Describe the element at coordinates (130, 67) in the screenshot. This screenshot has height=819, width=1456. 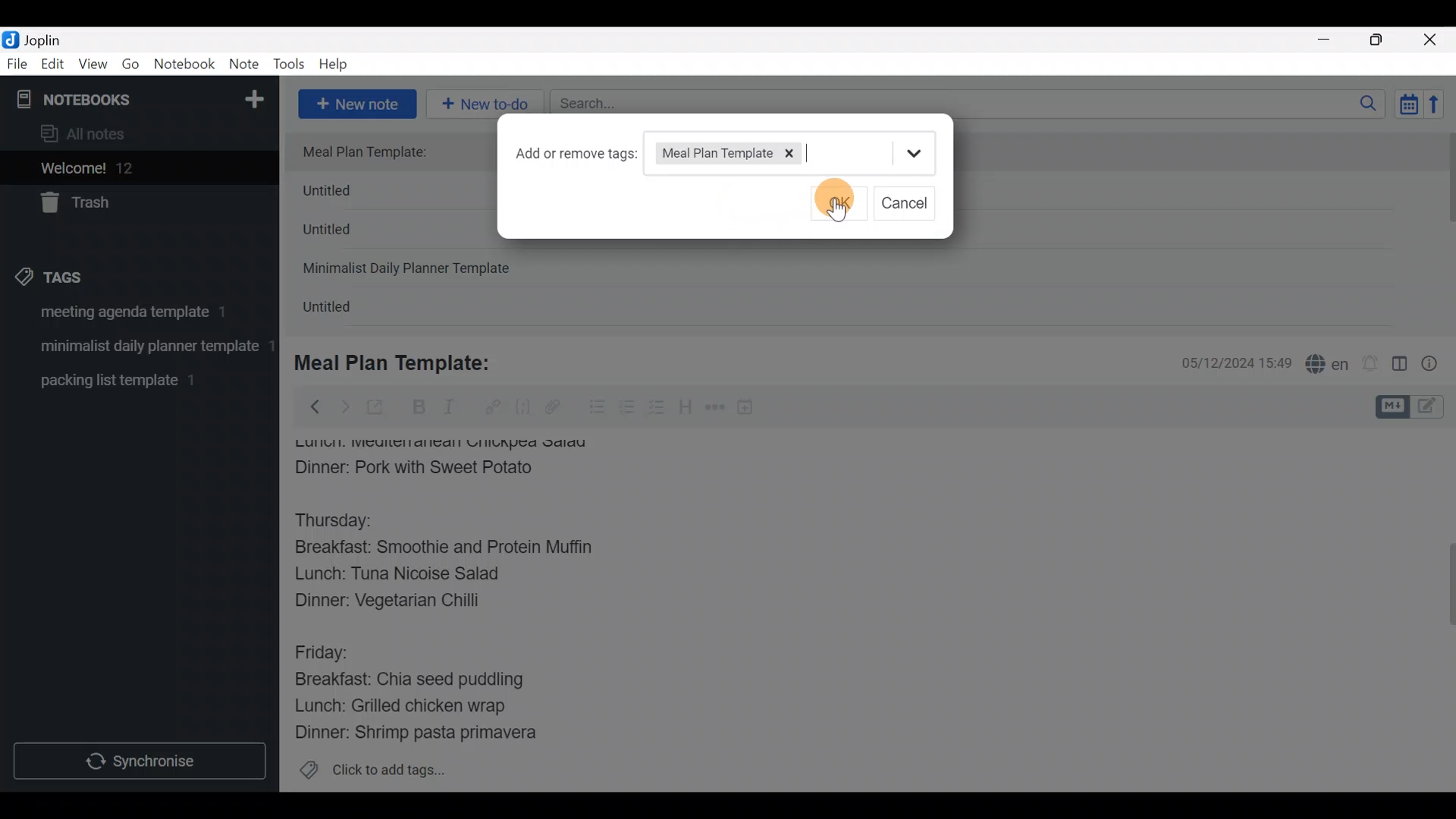
I see `Go` at that location.